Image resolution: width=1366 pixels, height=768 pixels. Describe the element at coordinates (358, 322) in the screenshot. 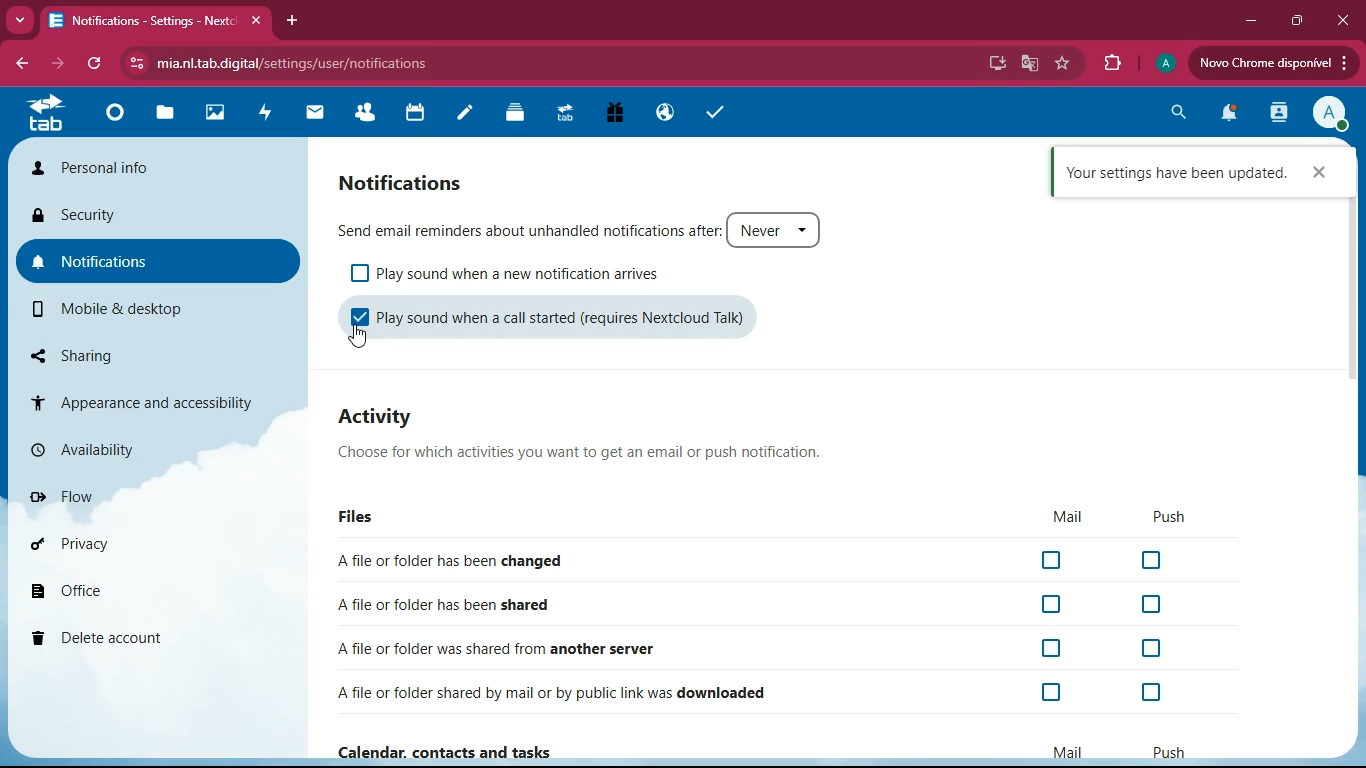

I see `on` at that location.